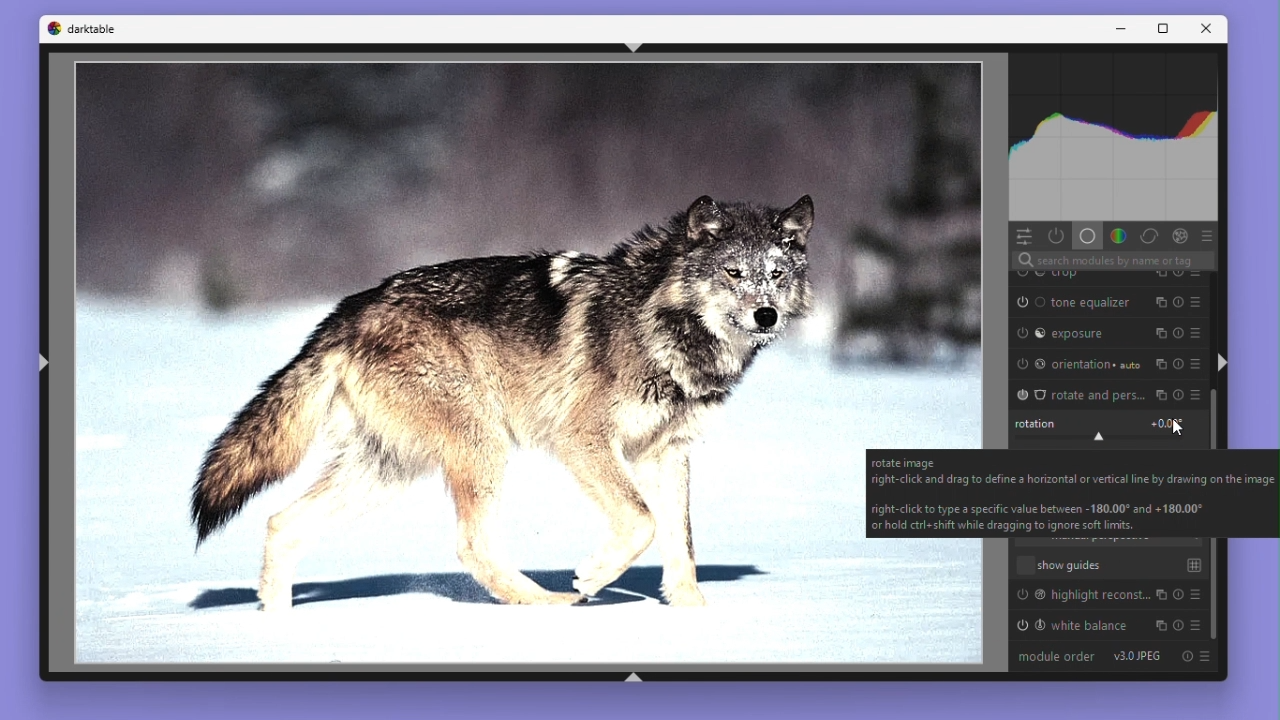  I want to click on orientations awe, so click(1106, 365).